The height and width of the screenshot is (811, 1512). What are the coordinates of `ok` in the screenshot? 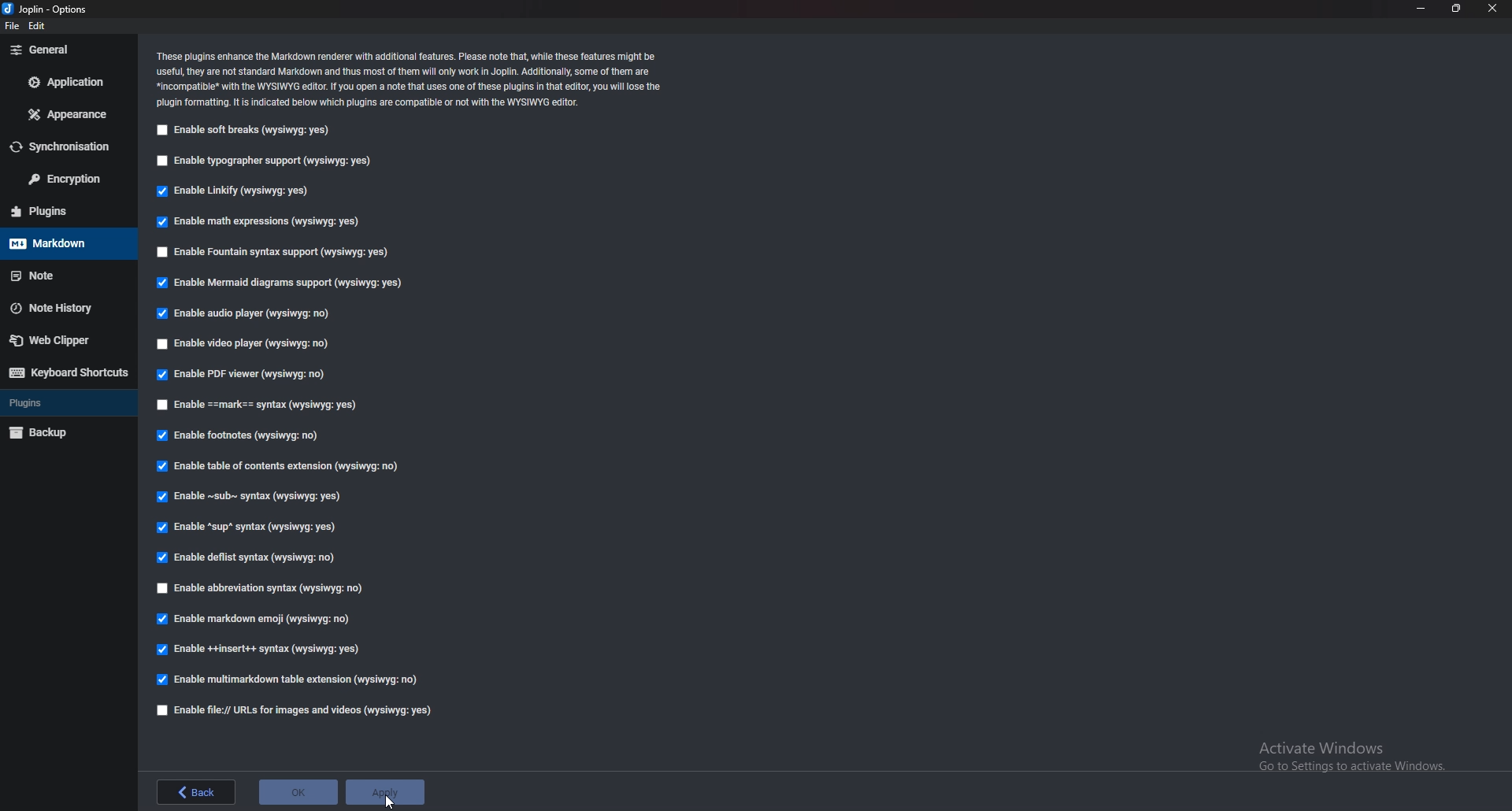 It's located at (298, 792).